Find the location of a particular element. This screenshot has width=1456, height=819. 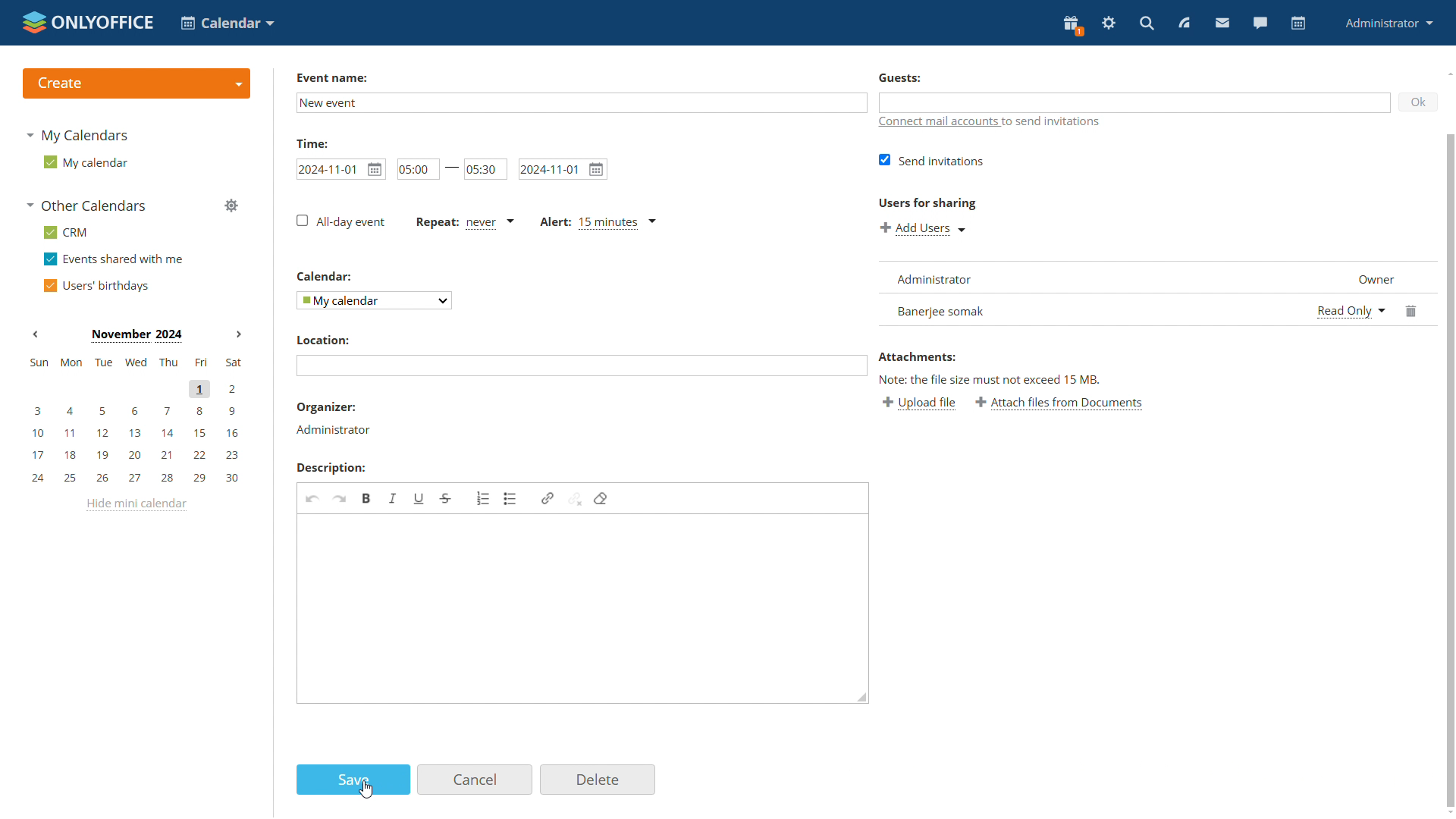

delete is located at coordinates (598, 779).